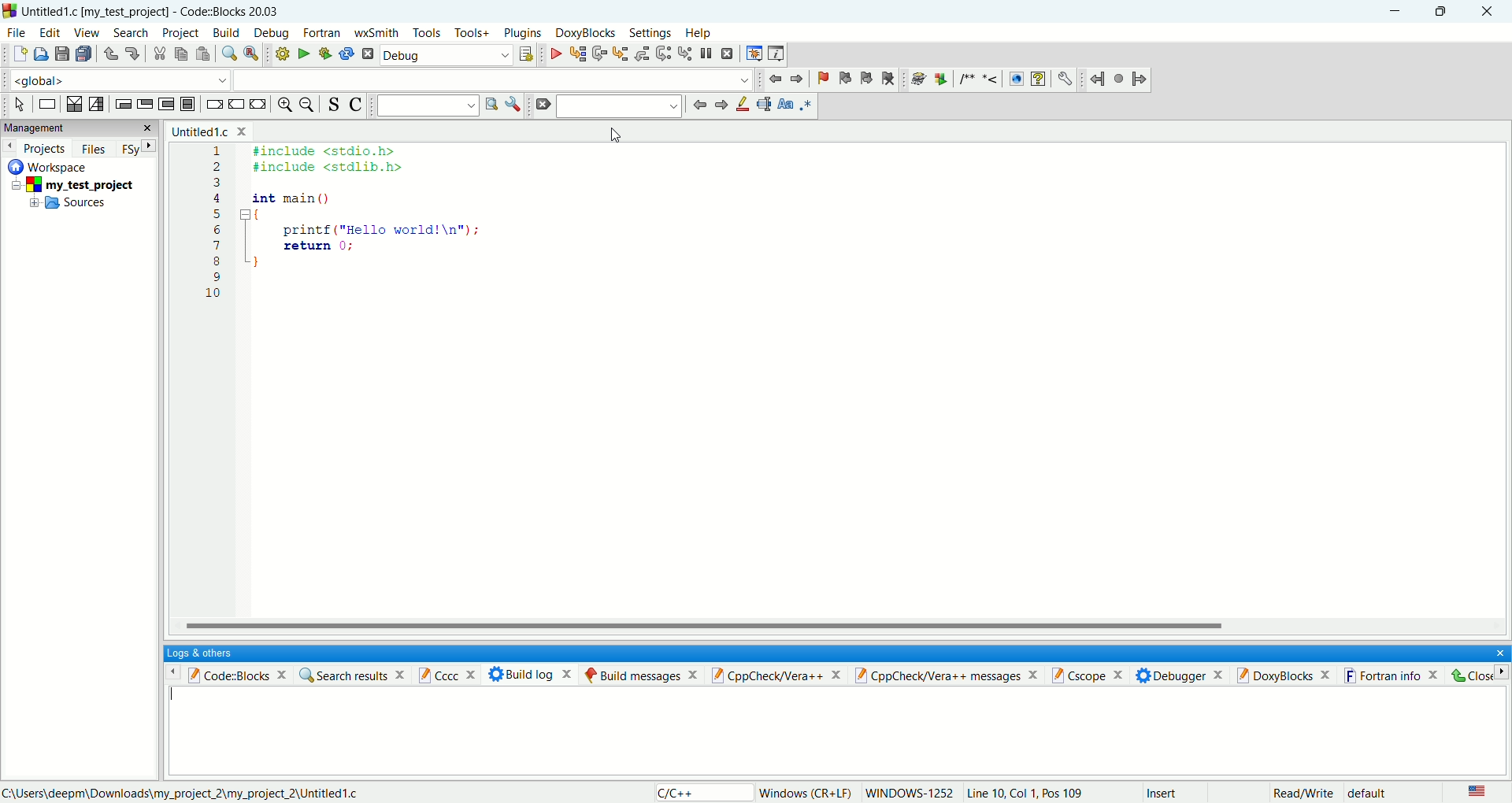 The width and height of the screenshot is (1512, 803). Describe the element at coordinates (948, 675) in the screenshot. I see `Cppcheck/vera++ messages` at that location.